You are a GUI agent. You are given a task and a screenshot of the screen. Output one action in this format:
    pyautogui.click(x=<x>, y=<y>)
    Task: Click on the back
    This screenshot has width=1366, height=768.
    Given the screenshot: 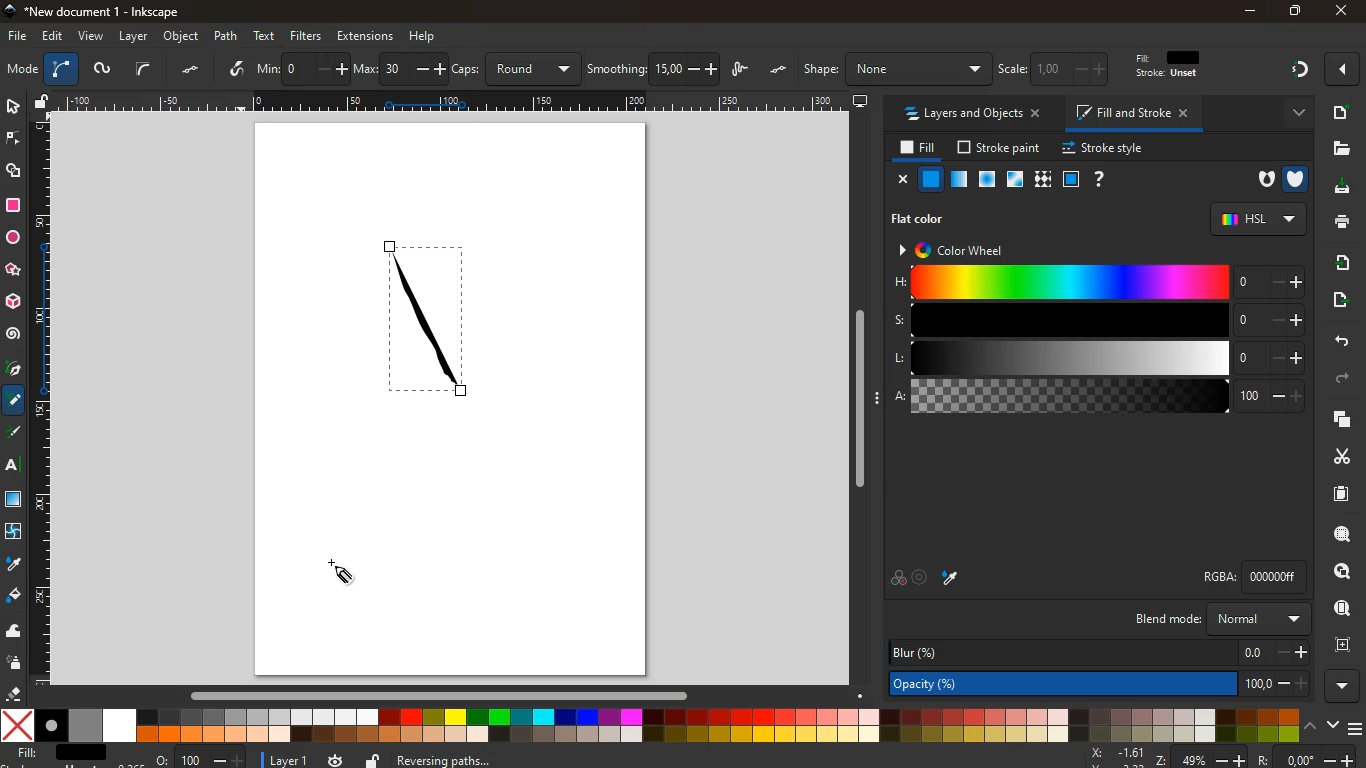 What is the action you would take?
    pyautogui.click(x=1339, y=342)
    